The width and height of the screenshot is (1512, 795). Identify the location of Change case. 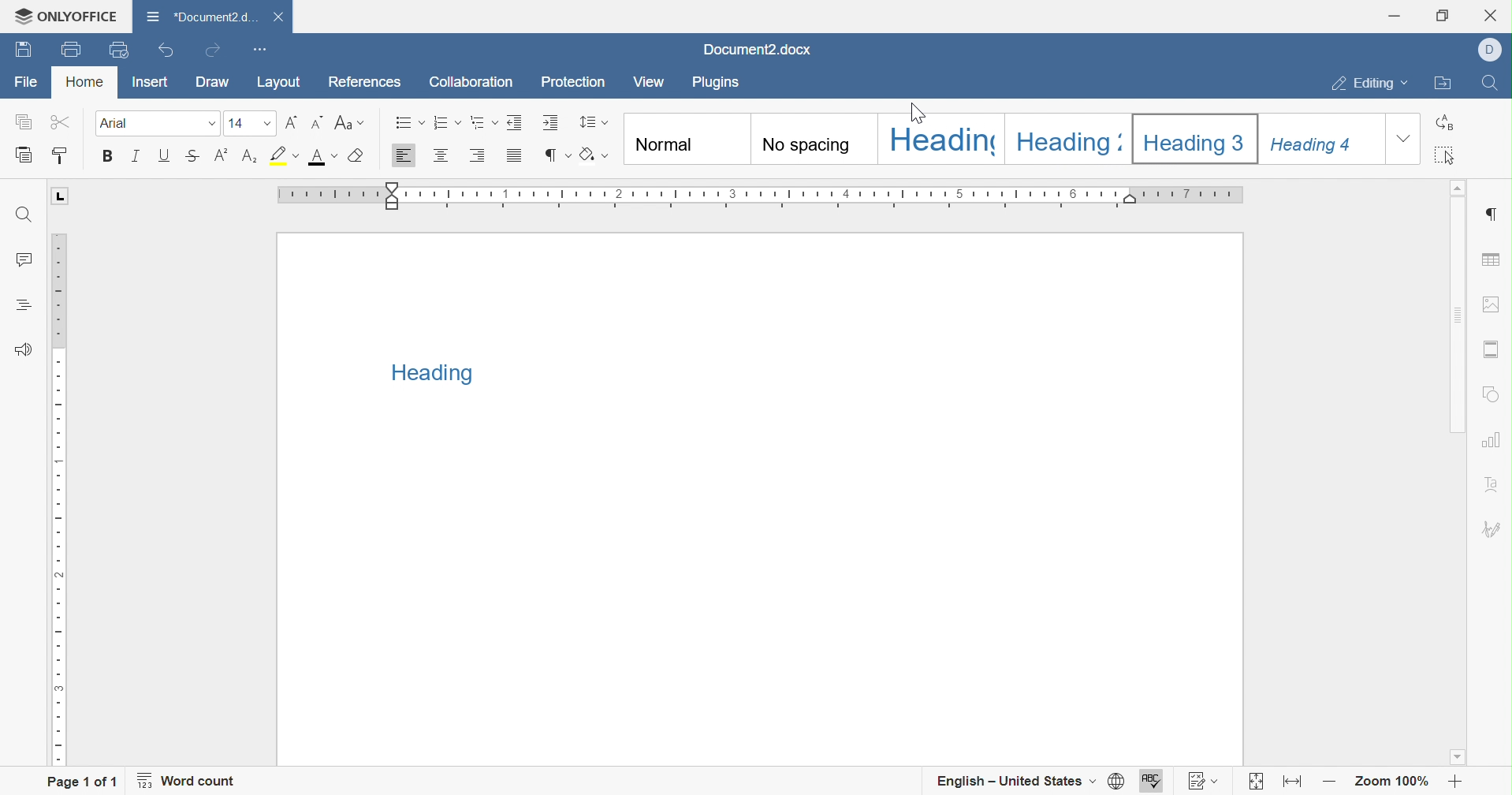
(345, 124).